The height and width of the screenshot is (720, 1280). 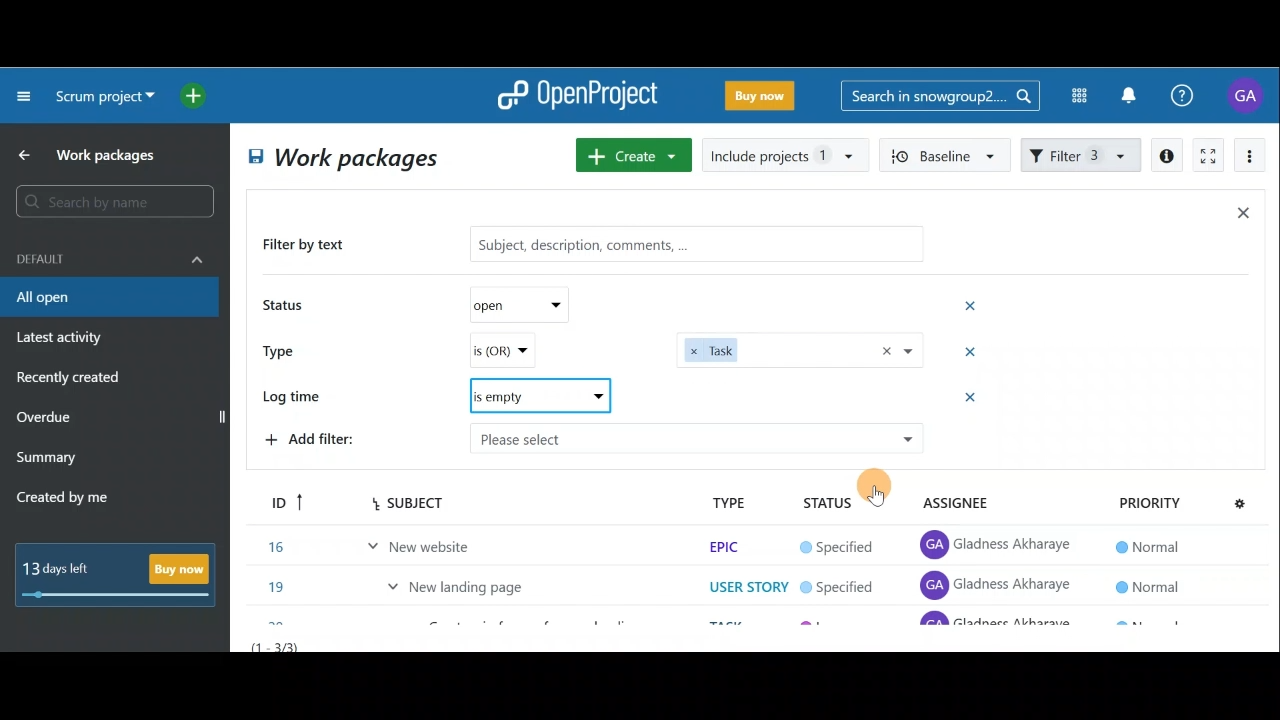 I want to click on All open, so click(x=340, y=160).